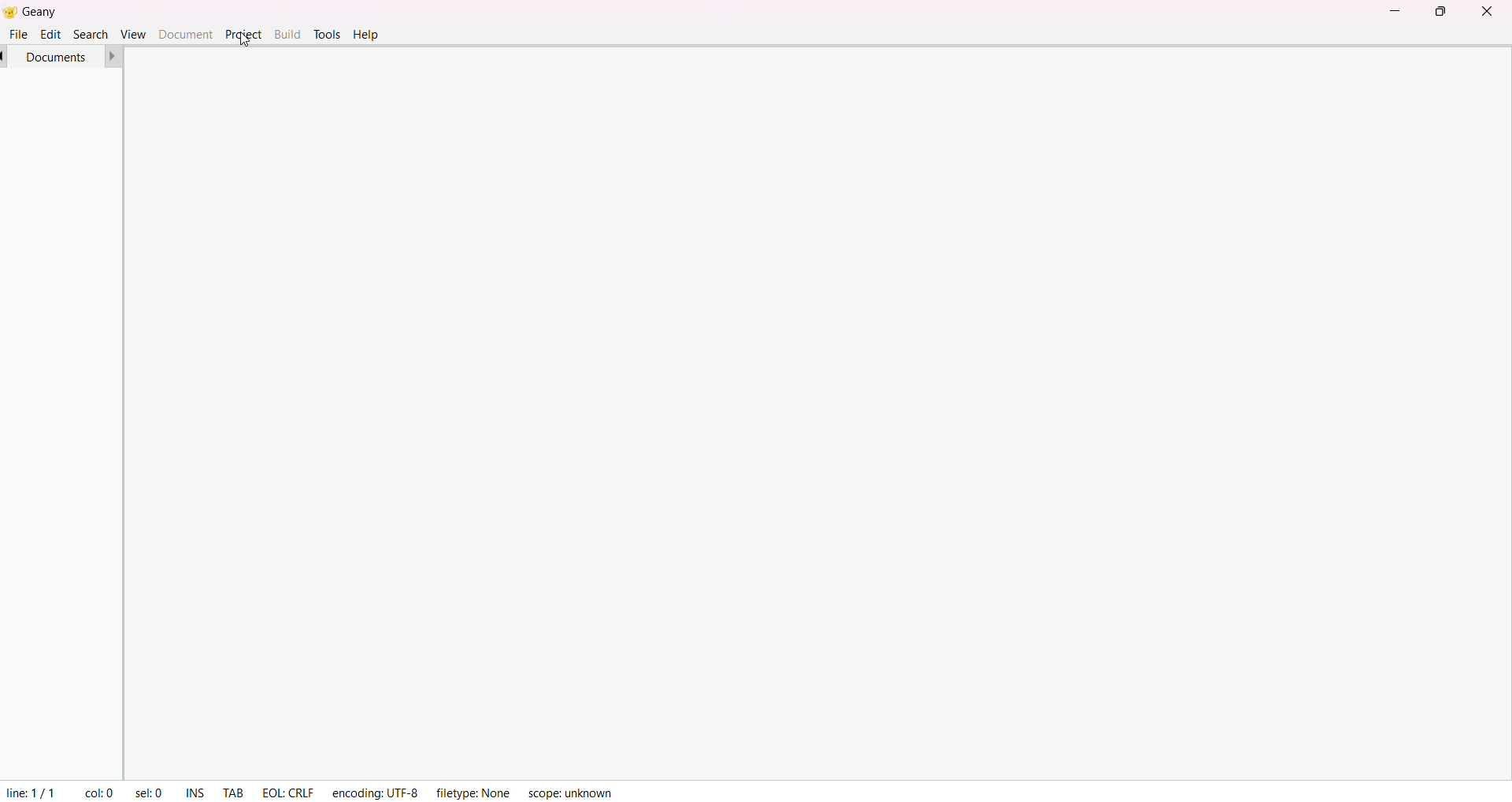 The width and height of the screenshot is (1512, 802). Describe the element at coordinates (185, 33) in the screenshot. I see `document` at that location.